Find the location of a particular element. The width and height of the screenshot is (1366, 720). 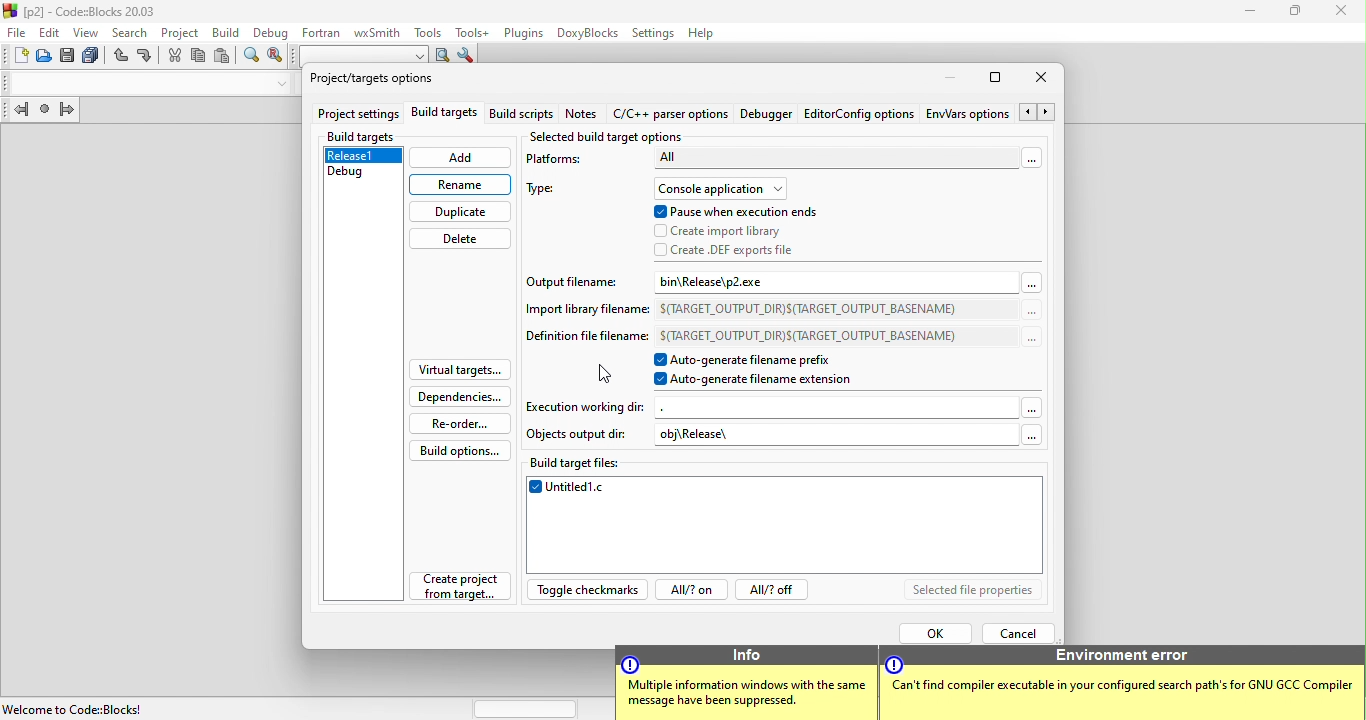

re is located at coordinates (275, 57).